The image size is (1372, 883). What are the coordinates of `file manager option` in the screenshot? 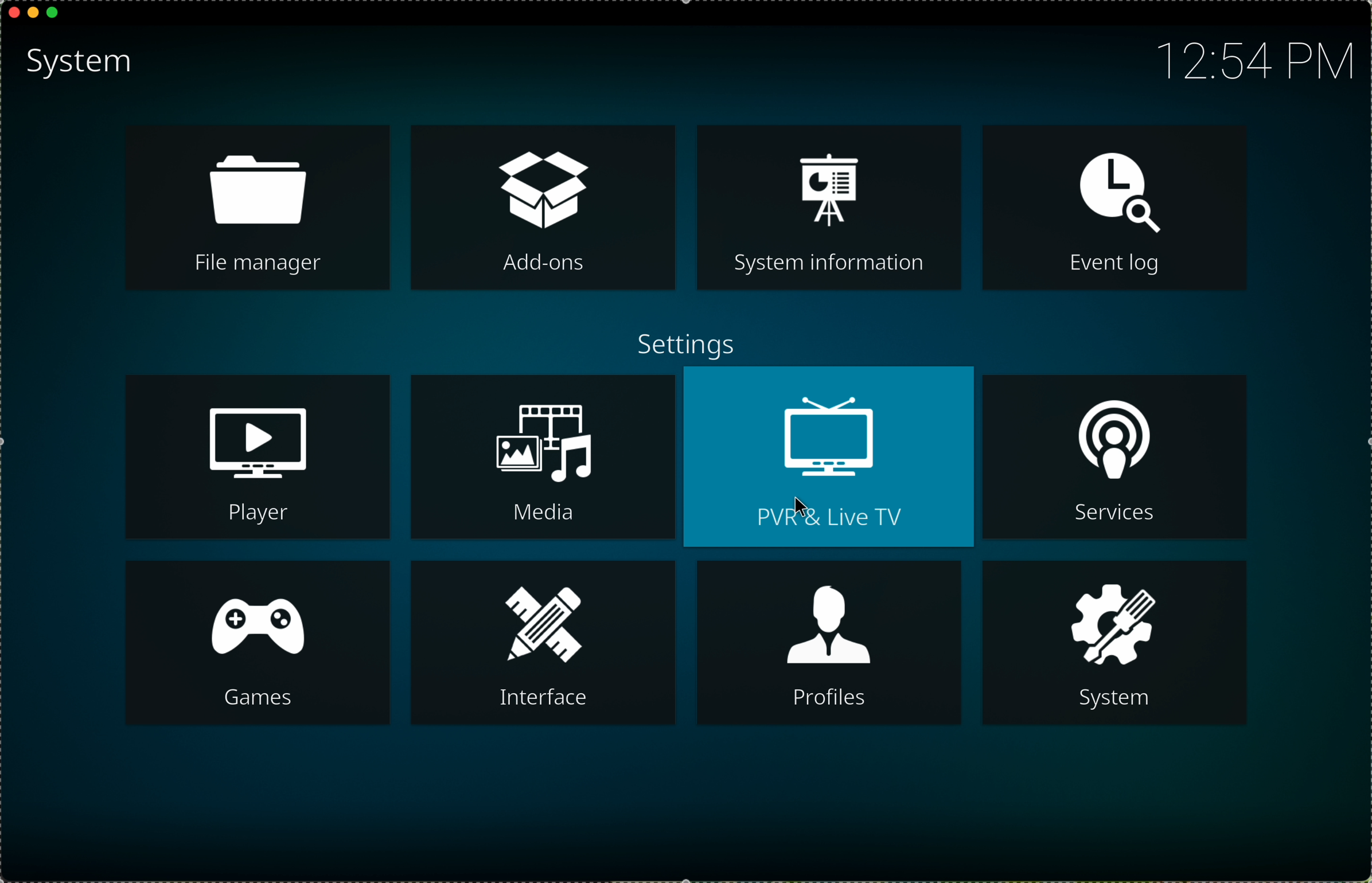 It's located at (257, 209).